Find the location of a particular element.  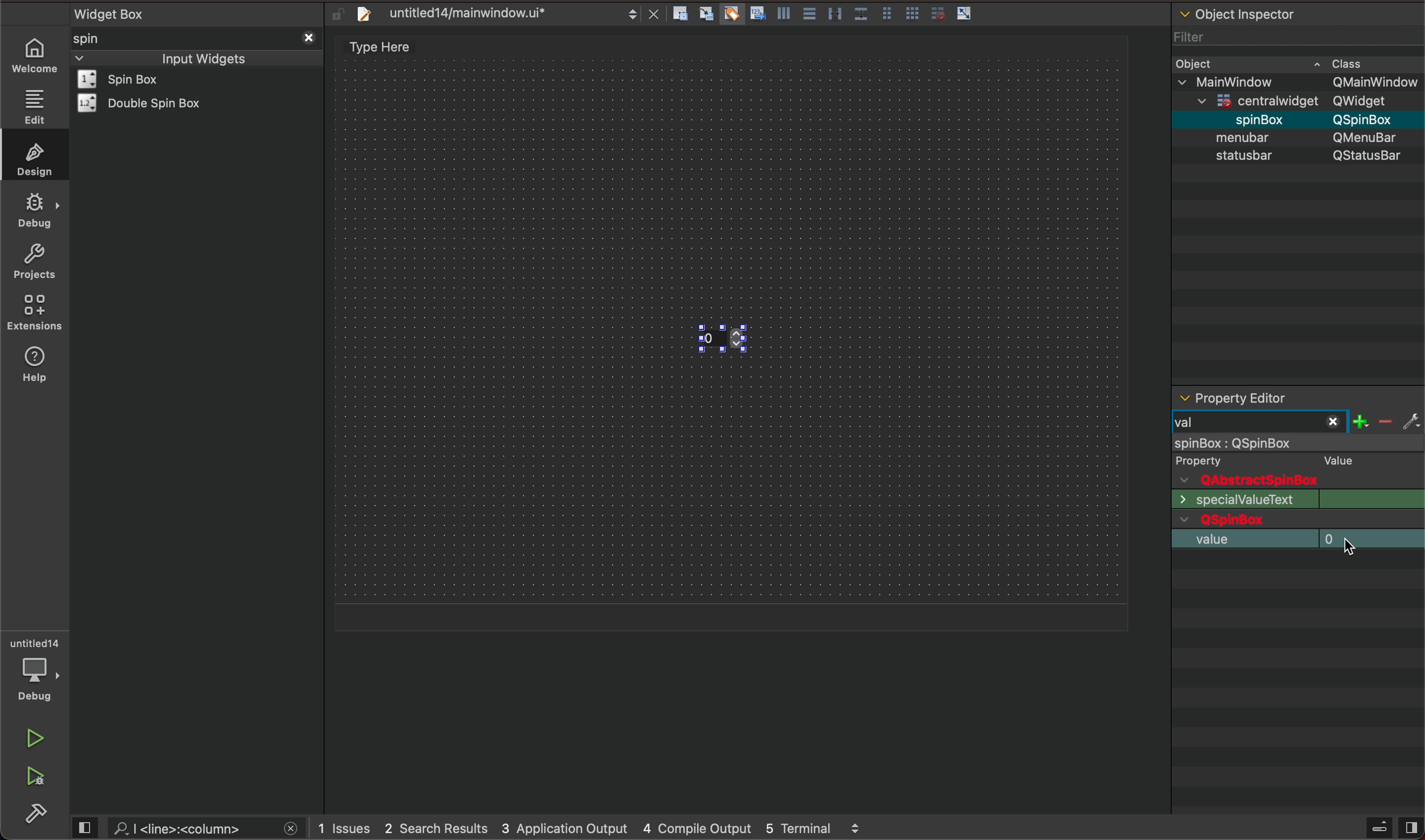

close sidebar is located at coordinates (1392, 828).